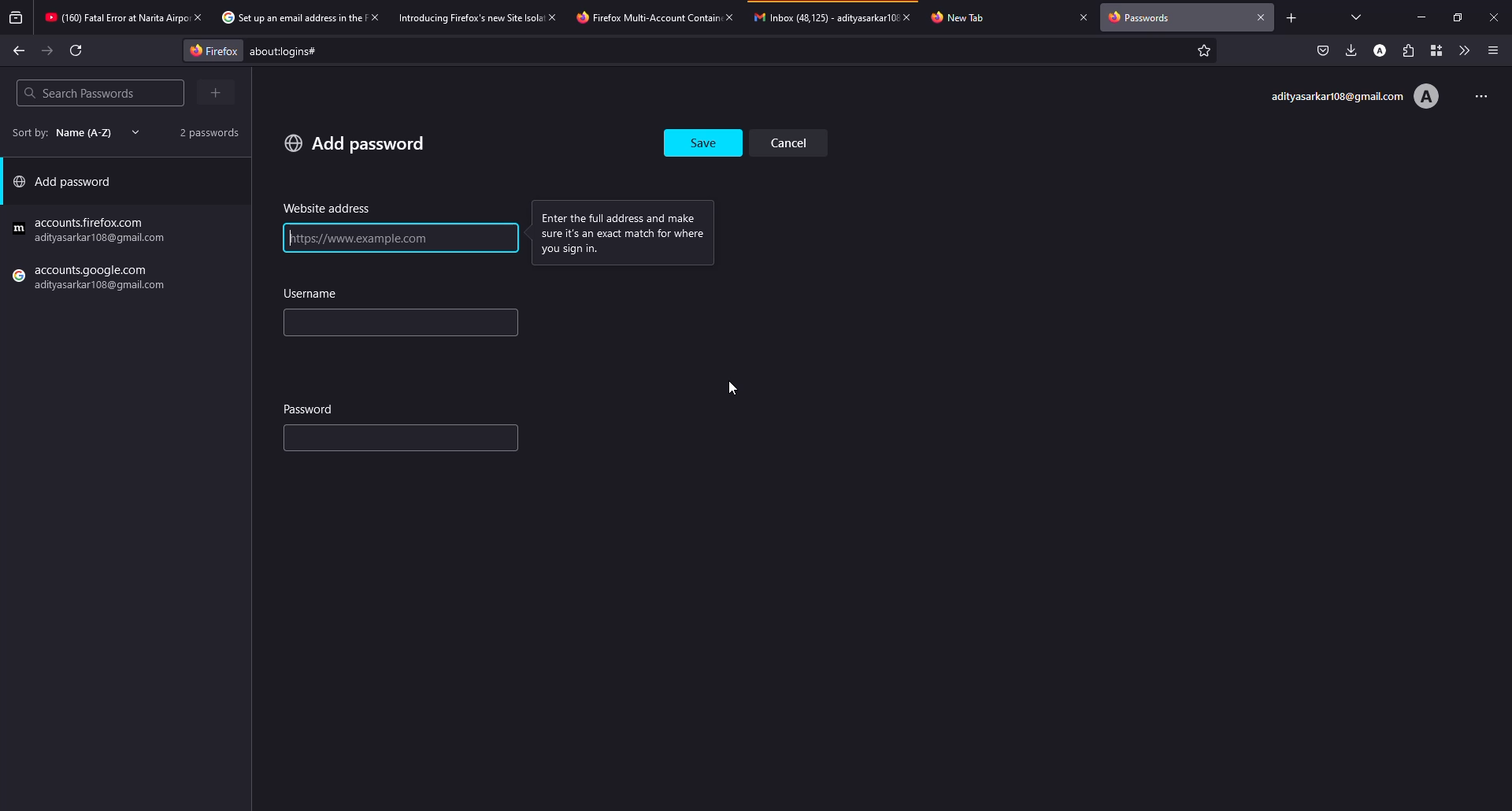  What do you see at coordinates (17, 18) in the screenshot?
I see `view recent` at bounding box center [17, 18].